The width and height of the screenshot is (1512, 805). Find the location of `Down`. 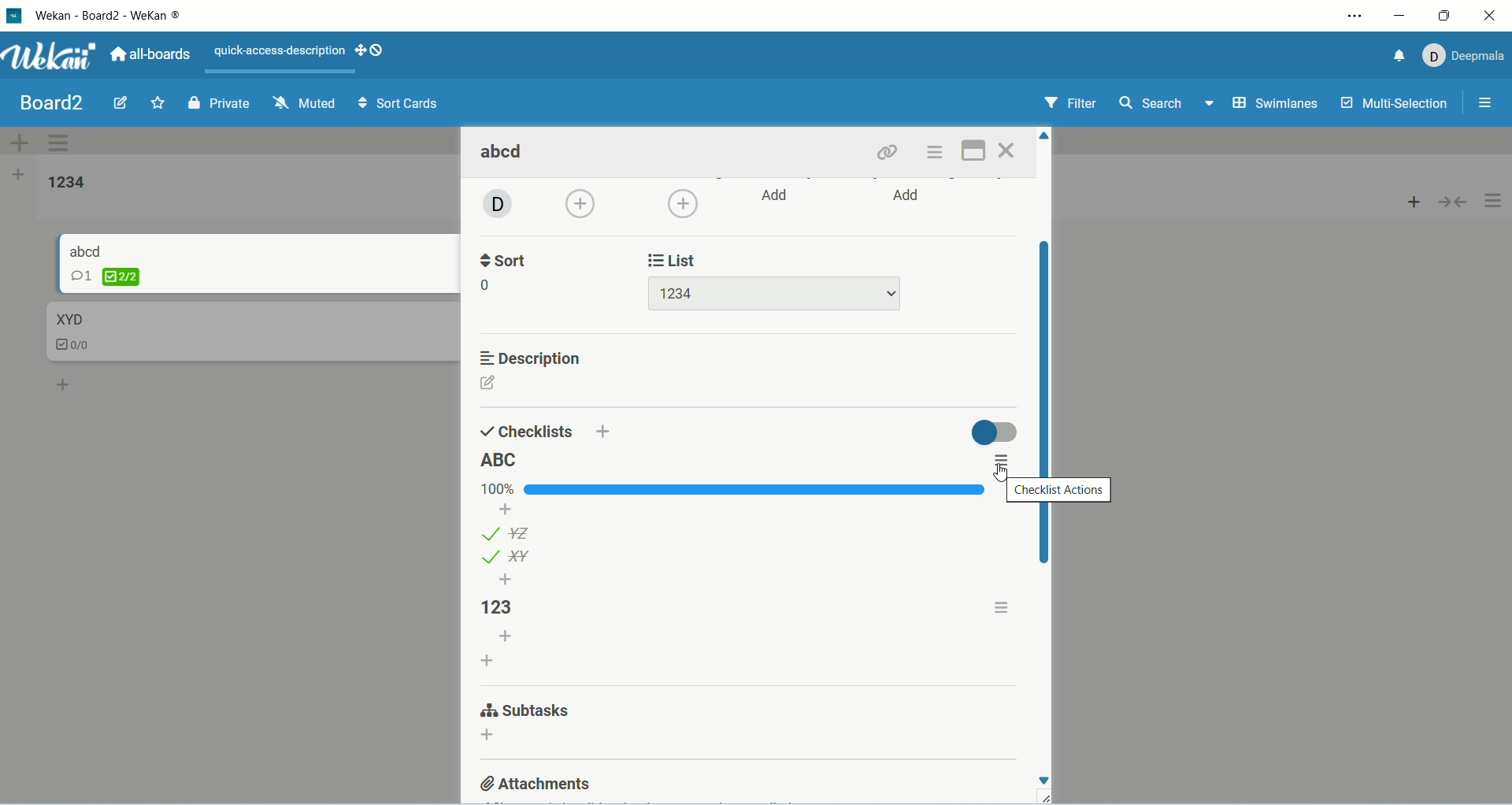

Down is located at coordinates (1043, 781).